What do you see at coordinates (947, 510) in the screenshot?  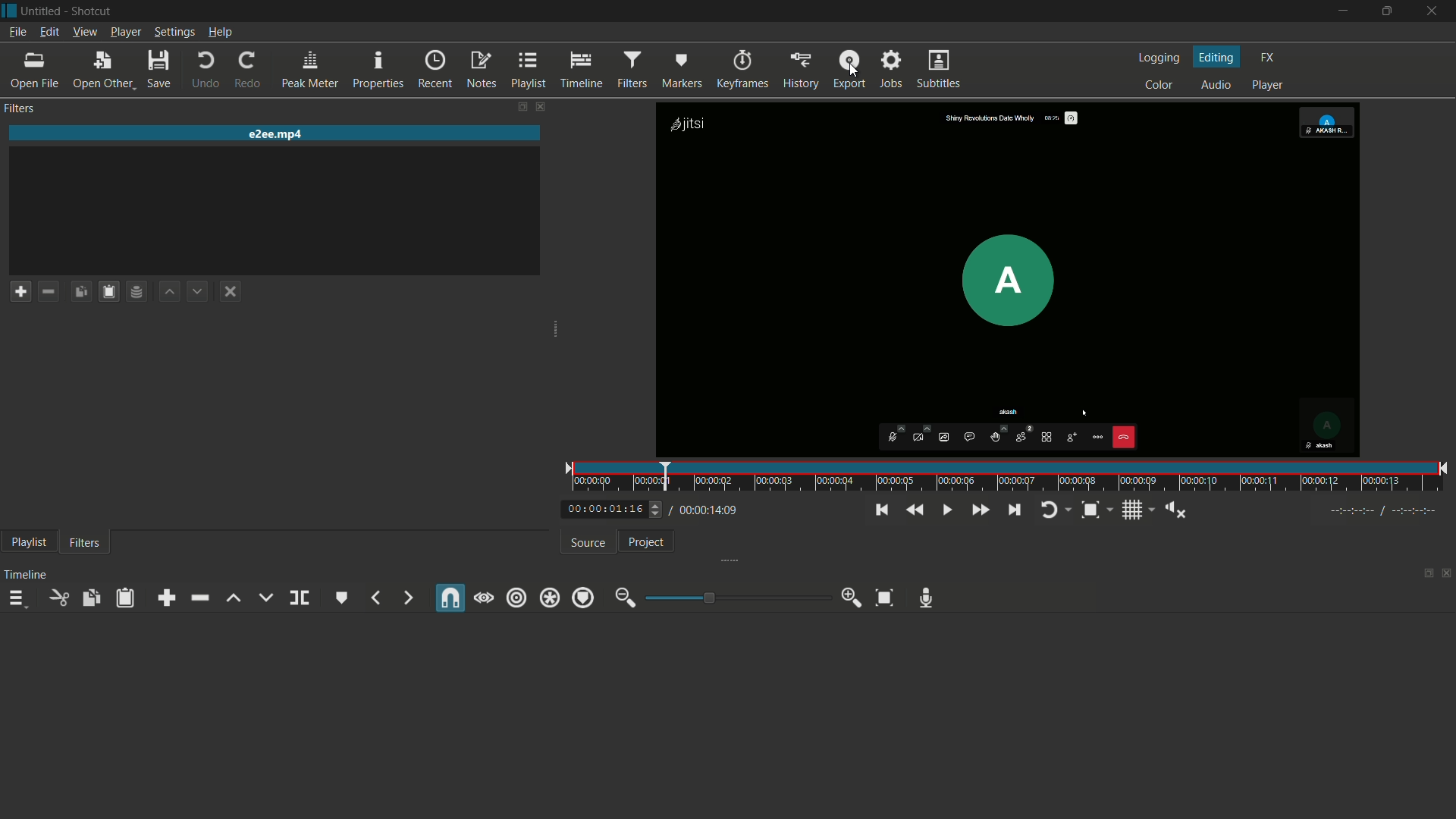 I see `toggle play or pause` at bounding box center [947, 510].